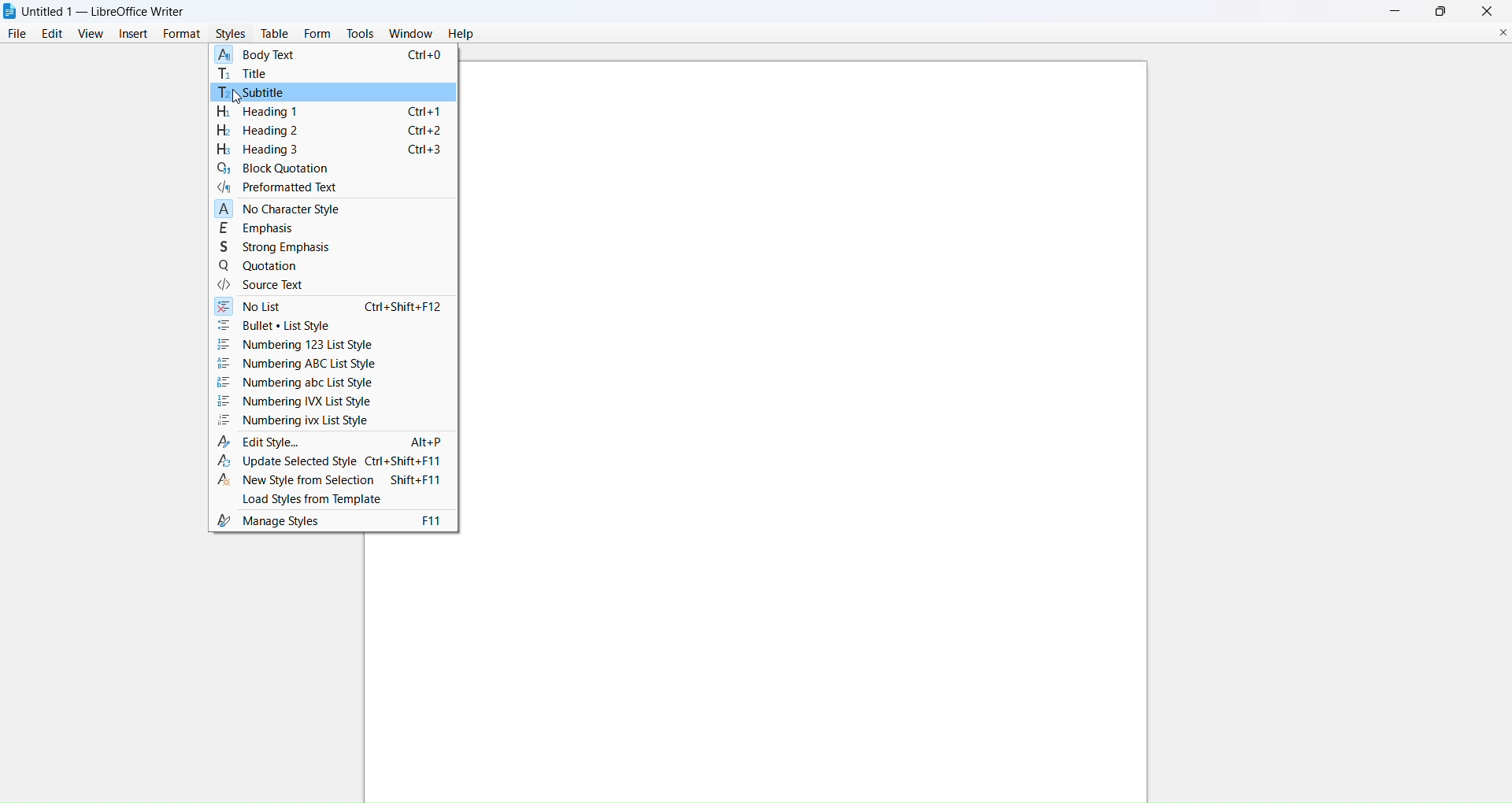 This screenshot has width=1512, height=803. What do you see at coordinates (330, 463) in the screenshot?
I see `updated selected style   Crtl+Shift+F11` at bounding box center [330, 463].